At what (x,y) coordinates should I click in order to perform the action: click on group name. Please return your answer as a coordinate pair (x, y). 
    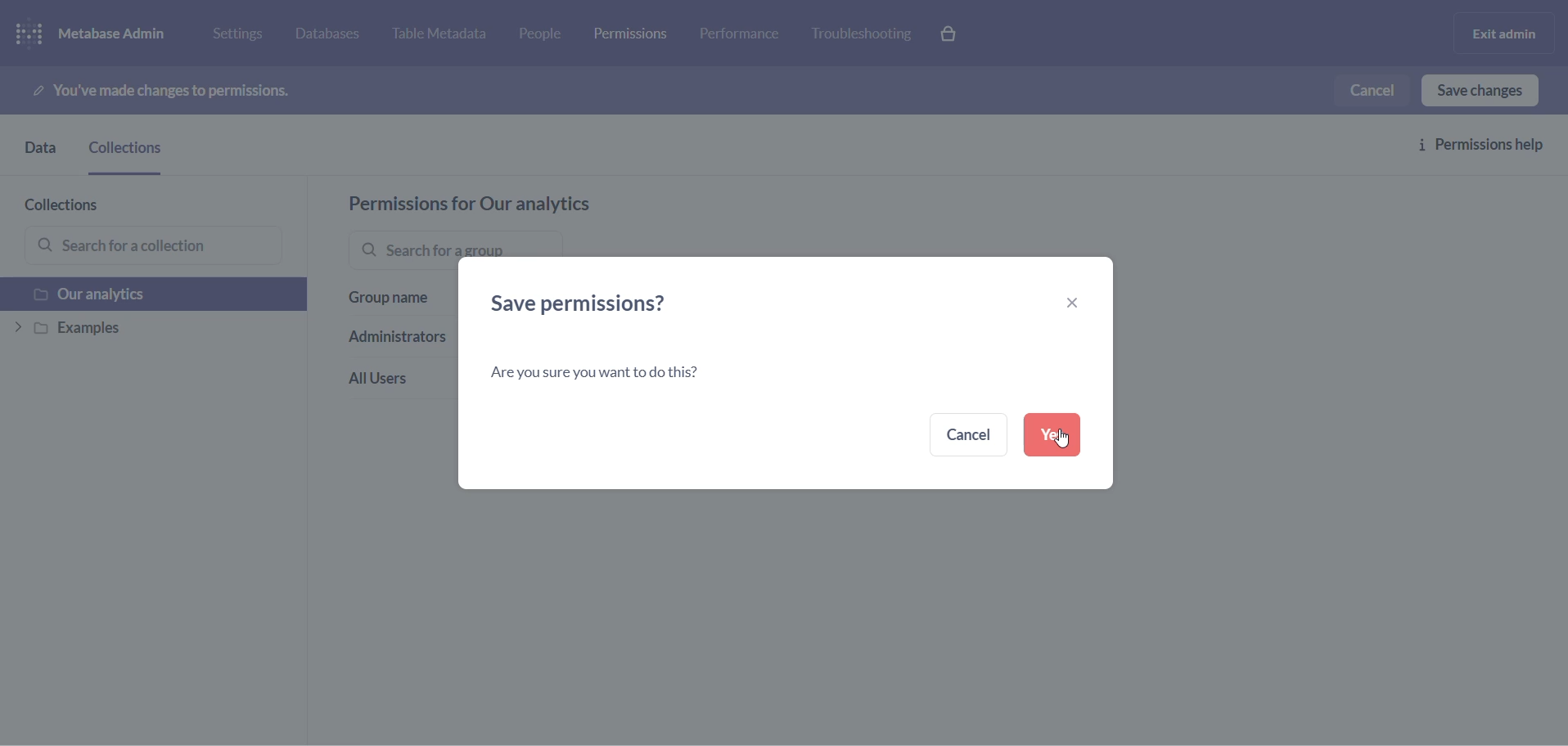
    Looking at the image, I should click on (390, 305).